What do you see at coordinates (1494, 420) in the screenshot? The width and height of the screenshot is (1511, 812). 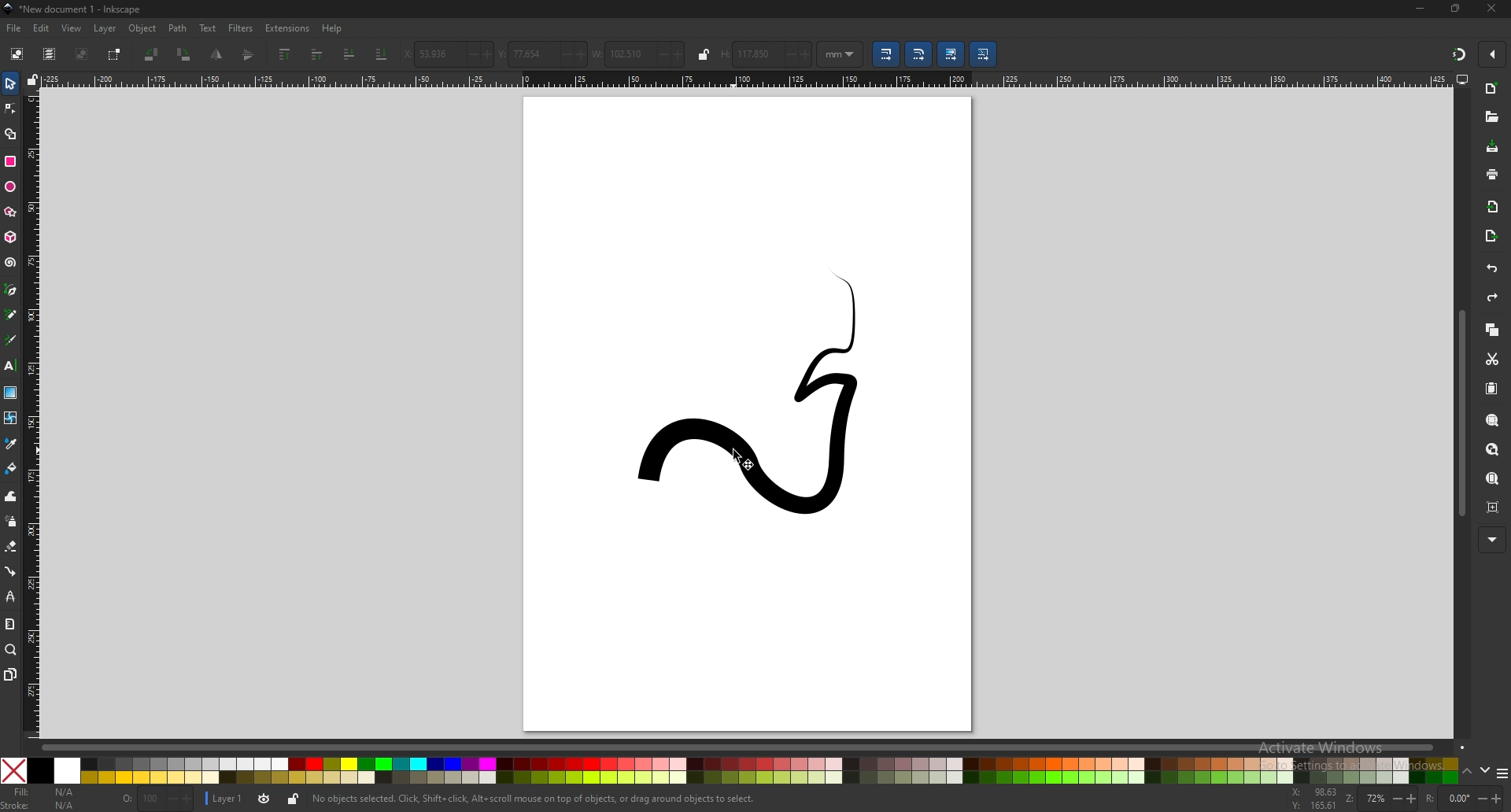 I see `zoom selection` at bounding box center [1494, 420].